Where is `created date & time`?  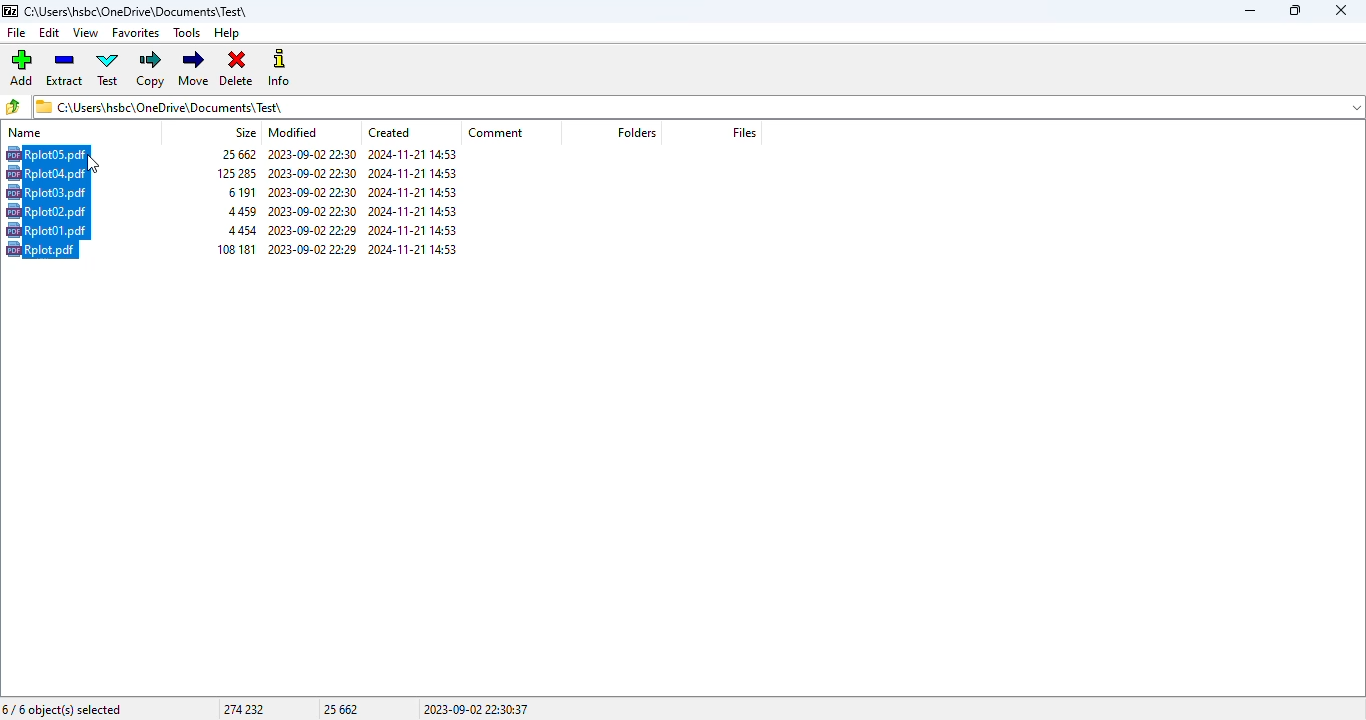 created date & time is located at coordinates (413, 231).